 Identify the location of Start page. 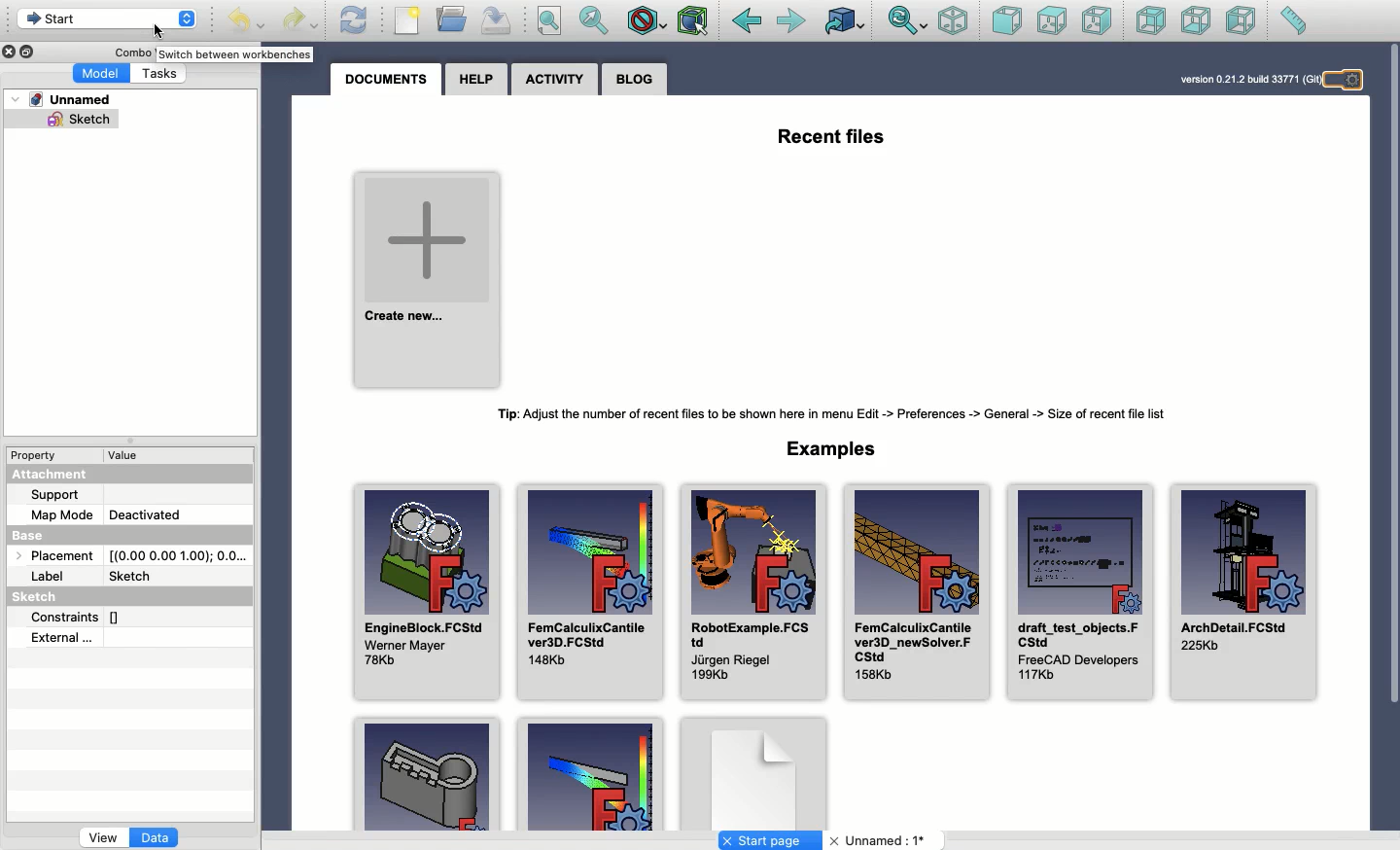
(770, 840).